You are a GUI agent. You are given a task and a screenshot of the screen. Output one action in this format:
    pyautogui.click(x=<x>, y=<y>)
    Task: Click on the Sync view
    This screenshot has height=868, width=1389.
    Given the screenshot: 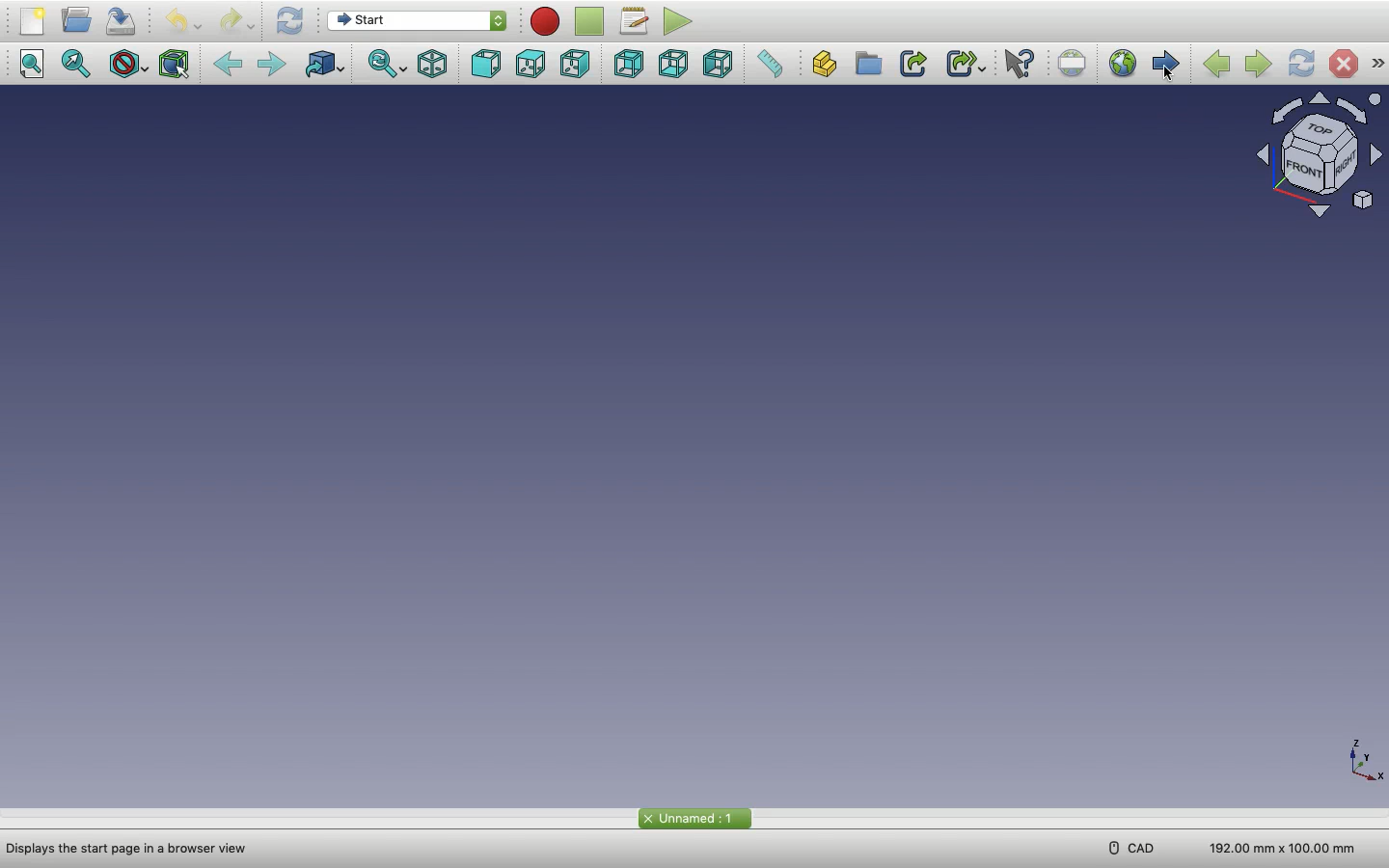 What is the action you would take?
    pyautogui.click(x=388, y=66)
    